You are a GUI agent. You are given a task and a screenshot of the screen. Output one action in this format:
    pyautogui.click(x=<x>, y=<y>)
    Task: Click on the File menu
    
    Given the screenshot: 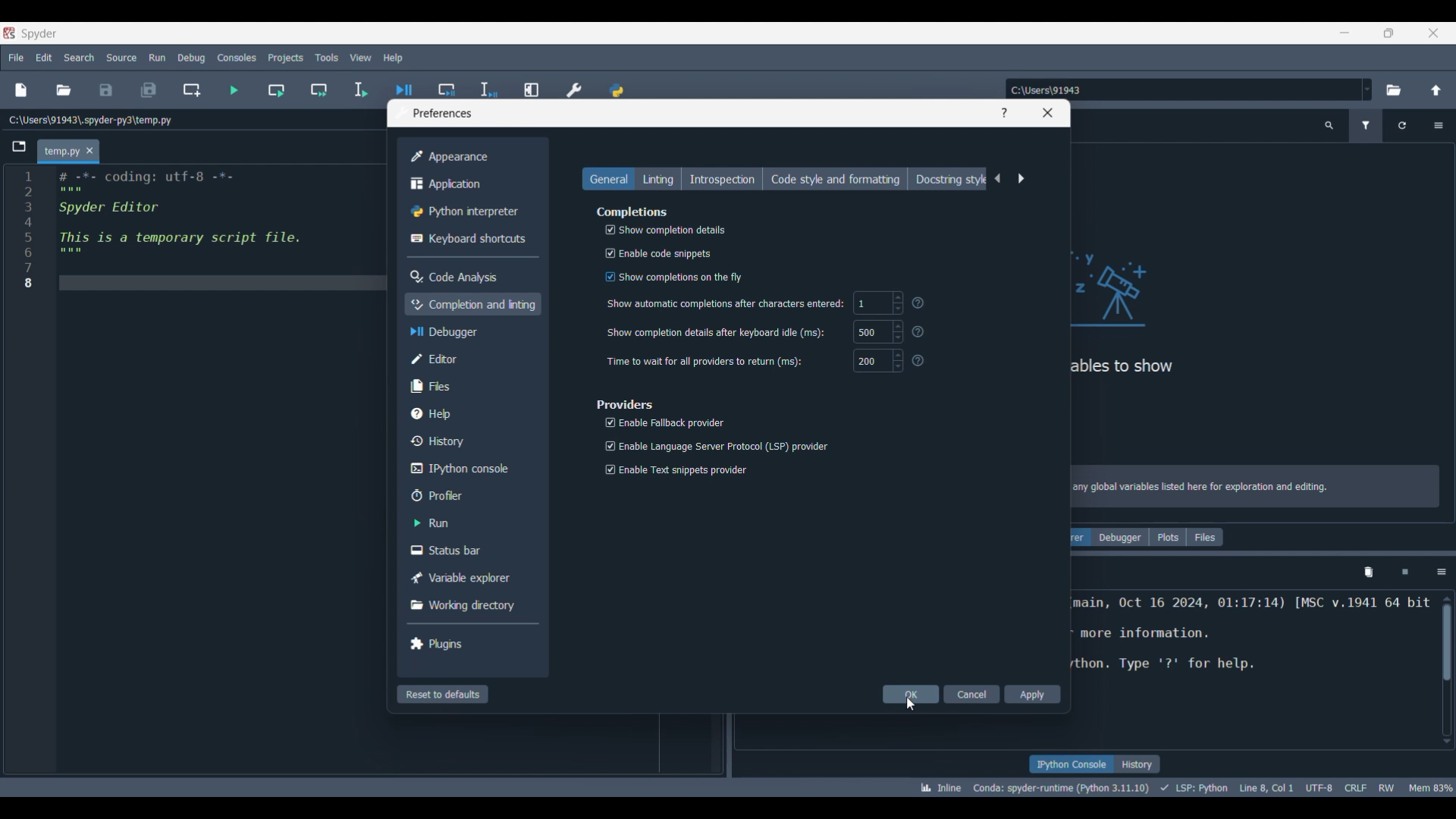 What is the action you would take?
    pyautogui.click(x=16, y=58)
    